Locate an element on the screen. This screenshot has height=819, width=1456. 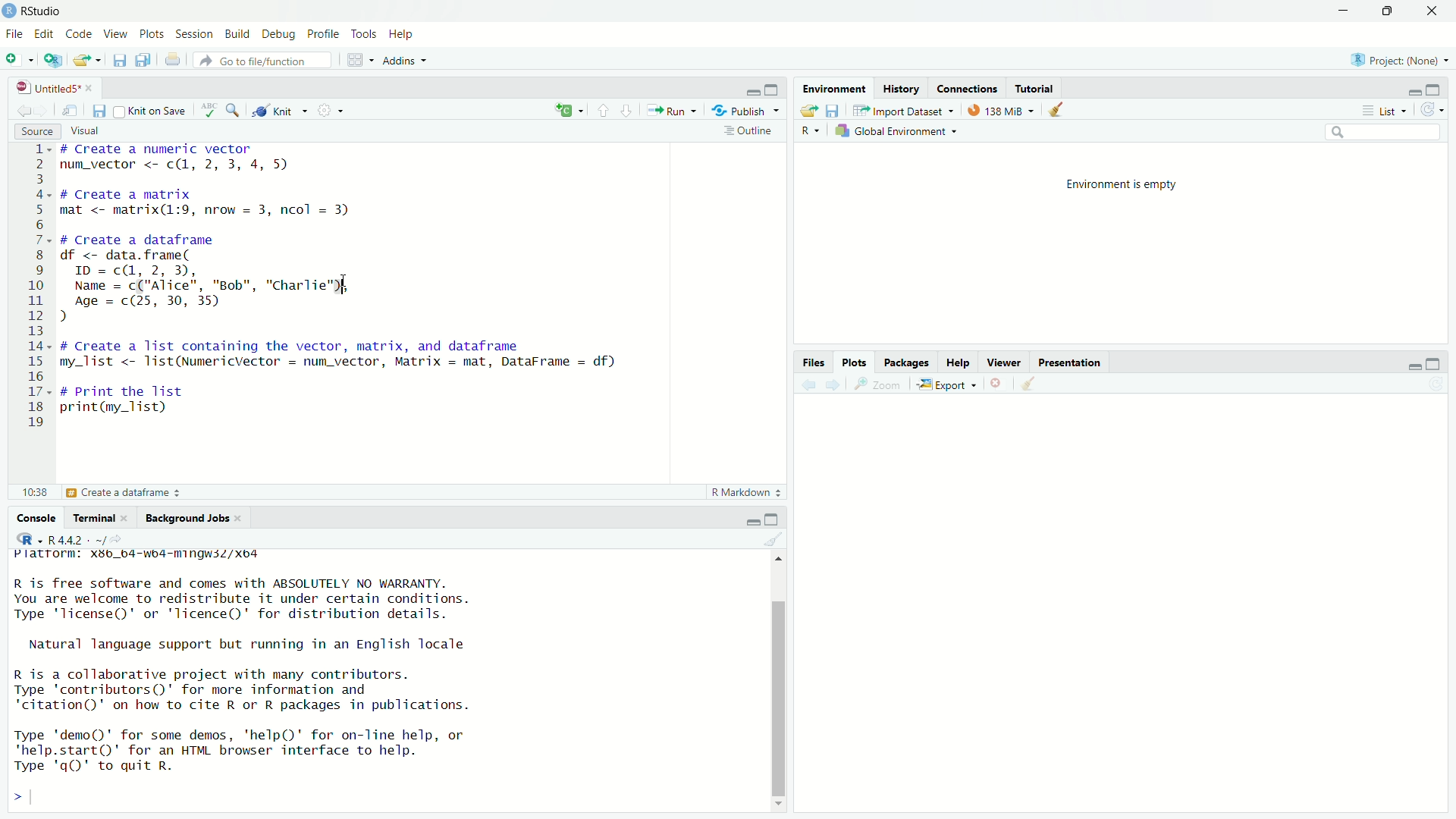
R~ is located at coordinates (811, 129).